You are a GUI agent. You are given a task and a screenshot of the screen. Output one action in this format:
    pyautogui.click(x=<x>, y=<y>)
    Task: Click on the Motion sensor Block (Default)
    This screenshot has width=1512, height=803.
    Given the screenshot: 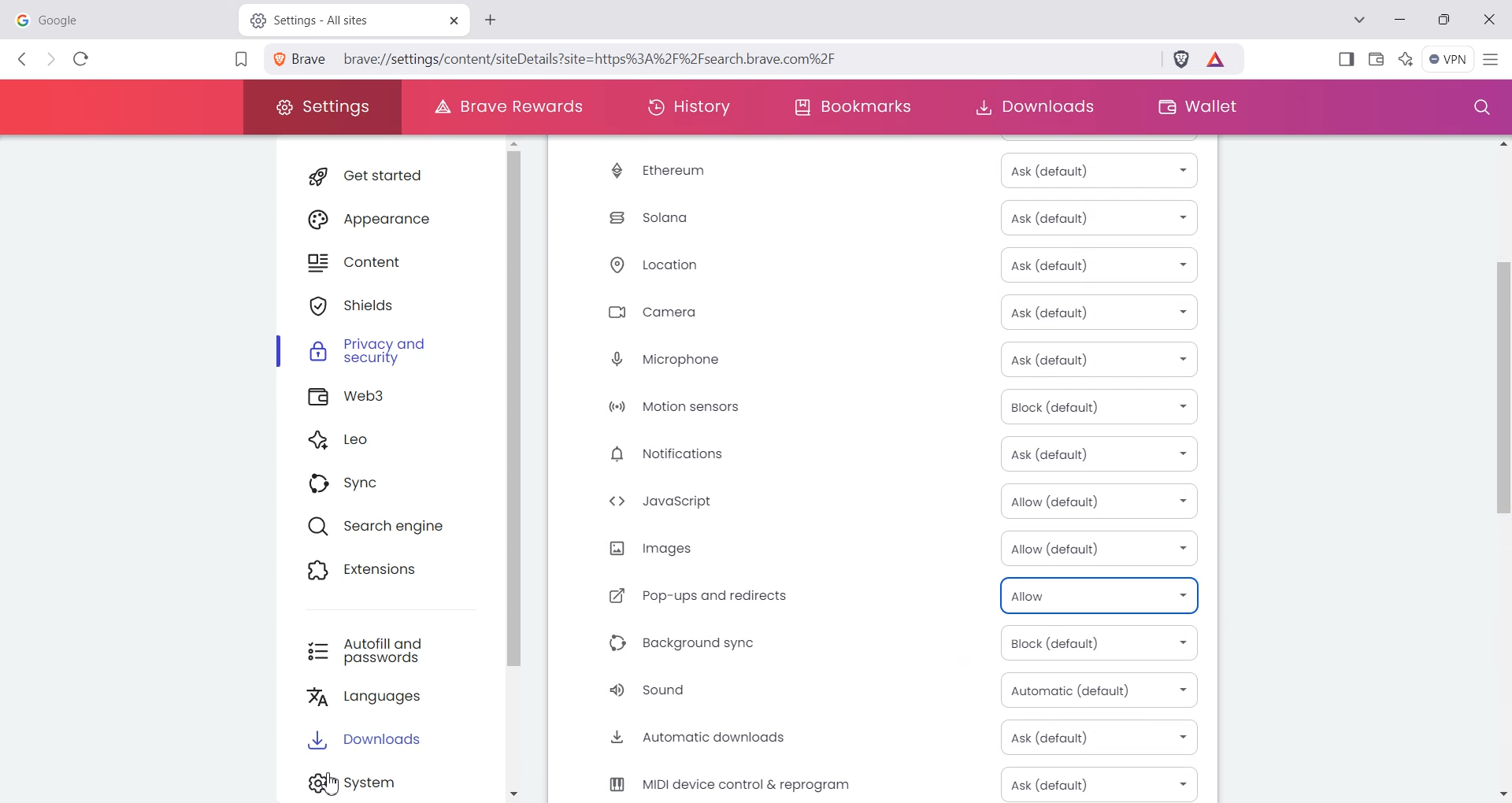 What is the action you would take?
    pyautogui.click(x=887, y=406)
    